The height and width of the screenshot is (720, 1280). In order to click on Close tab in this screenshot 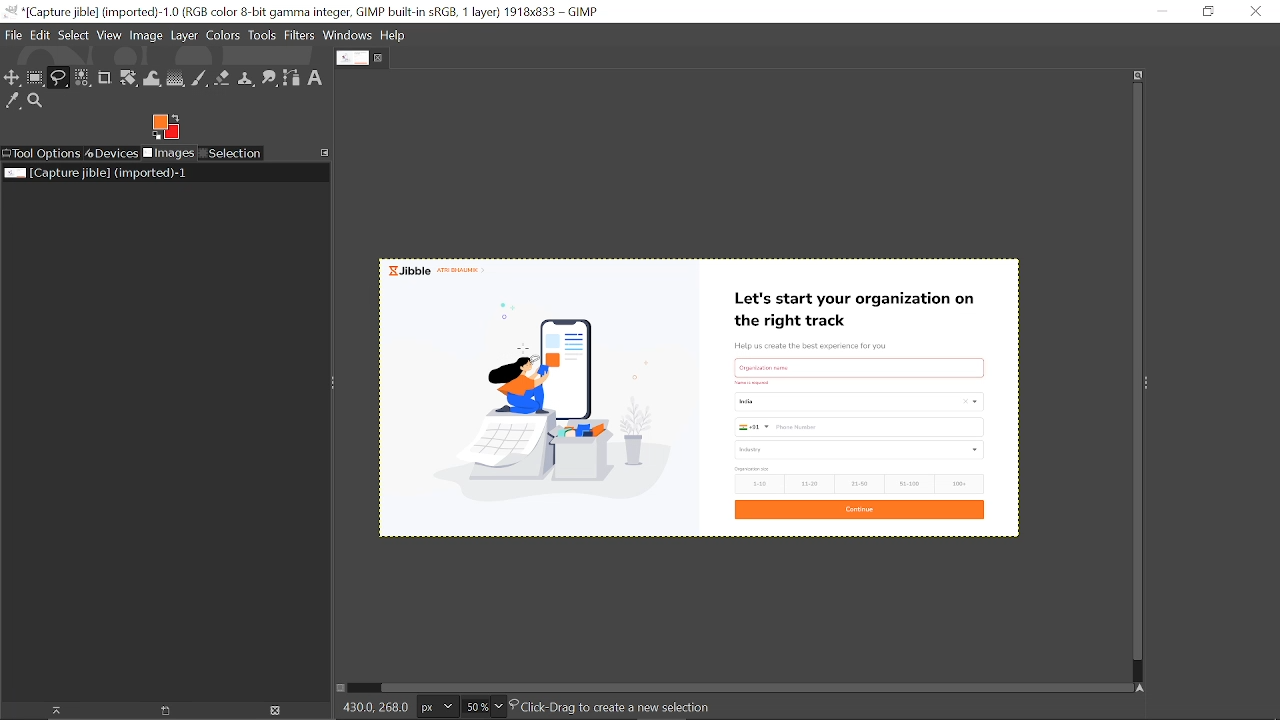, I will do `click(381, 58)`.